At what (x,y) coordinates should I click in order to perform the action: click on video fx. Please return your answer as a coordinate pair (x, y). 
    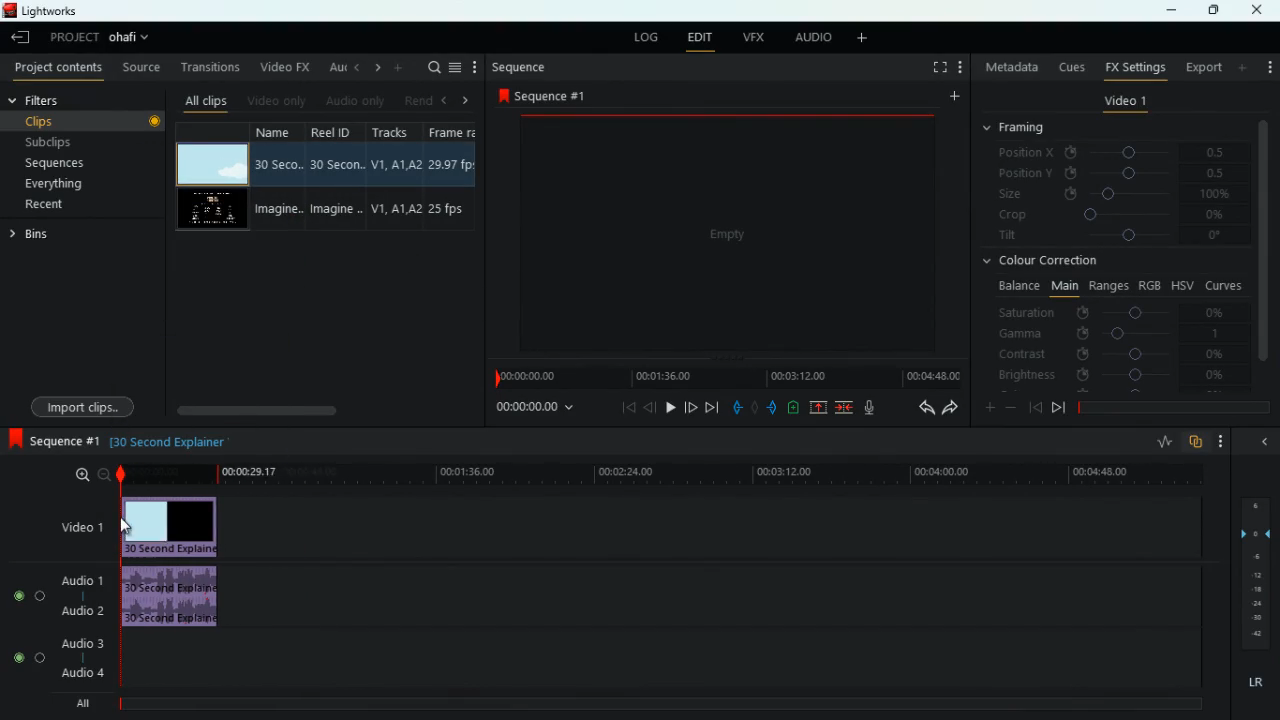
    Looking at the image, I should click on (283, 67).